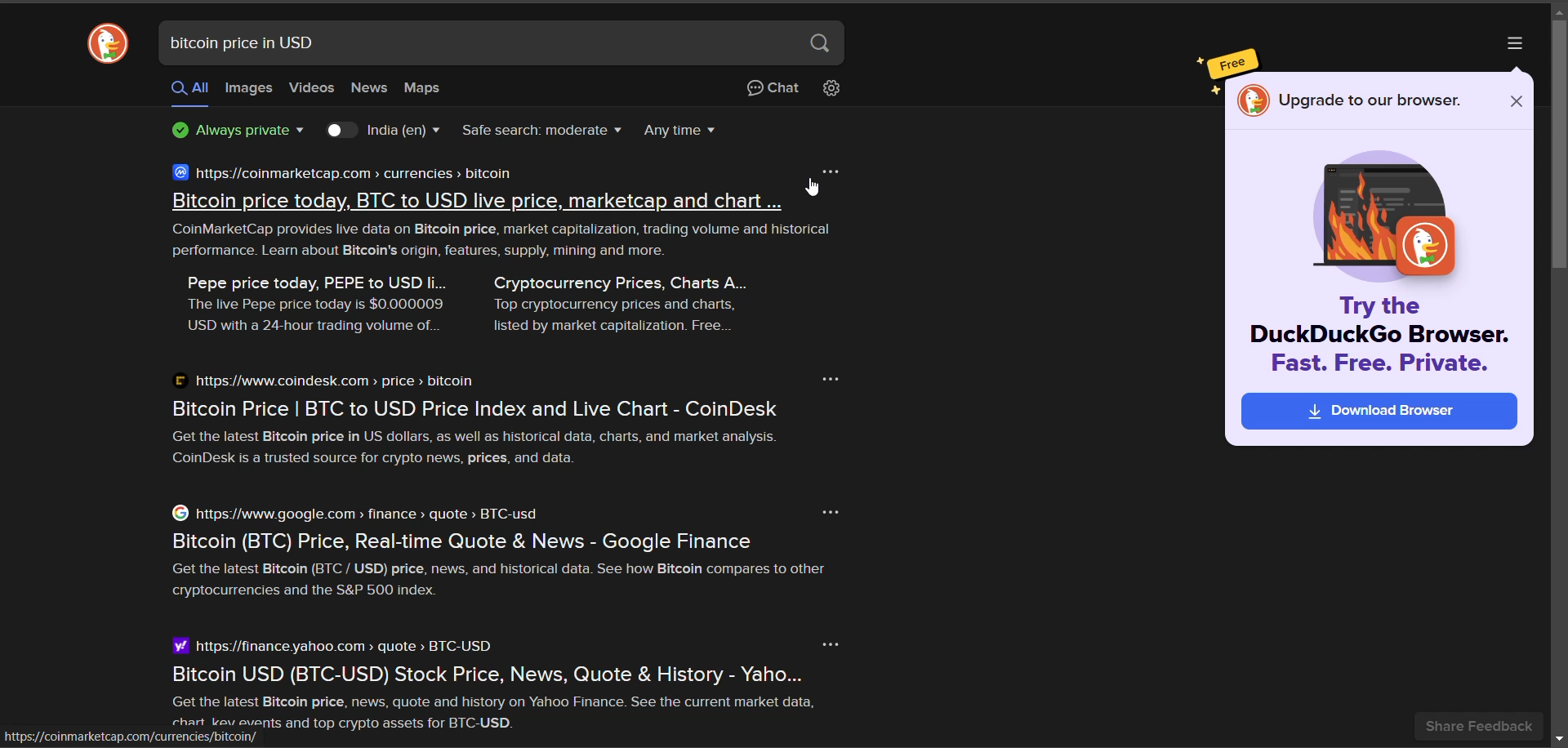 Image resolution: width=1568 pixels, height=748 pixels. What do you see at coordinates (494, 673) in the screenshot?
I see `Bitcoin USD (BTC-USD) Stock Price, News, Quote & History - Yaho...` at bounding box center [494, 673].